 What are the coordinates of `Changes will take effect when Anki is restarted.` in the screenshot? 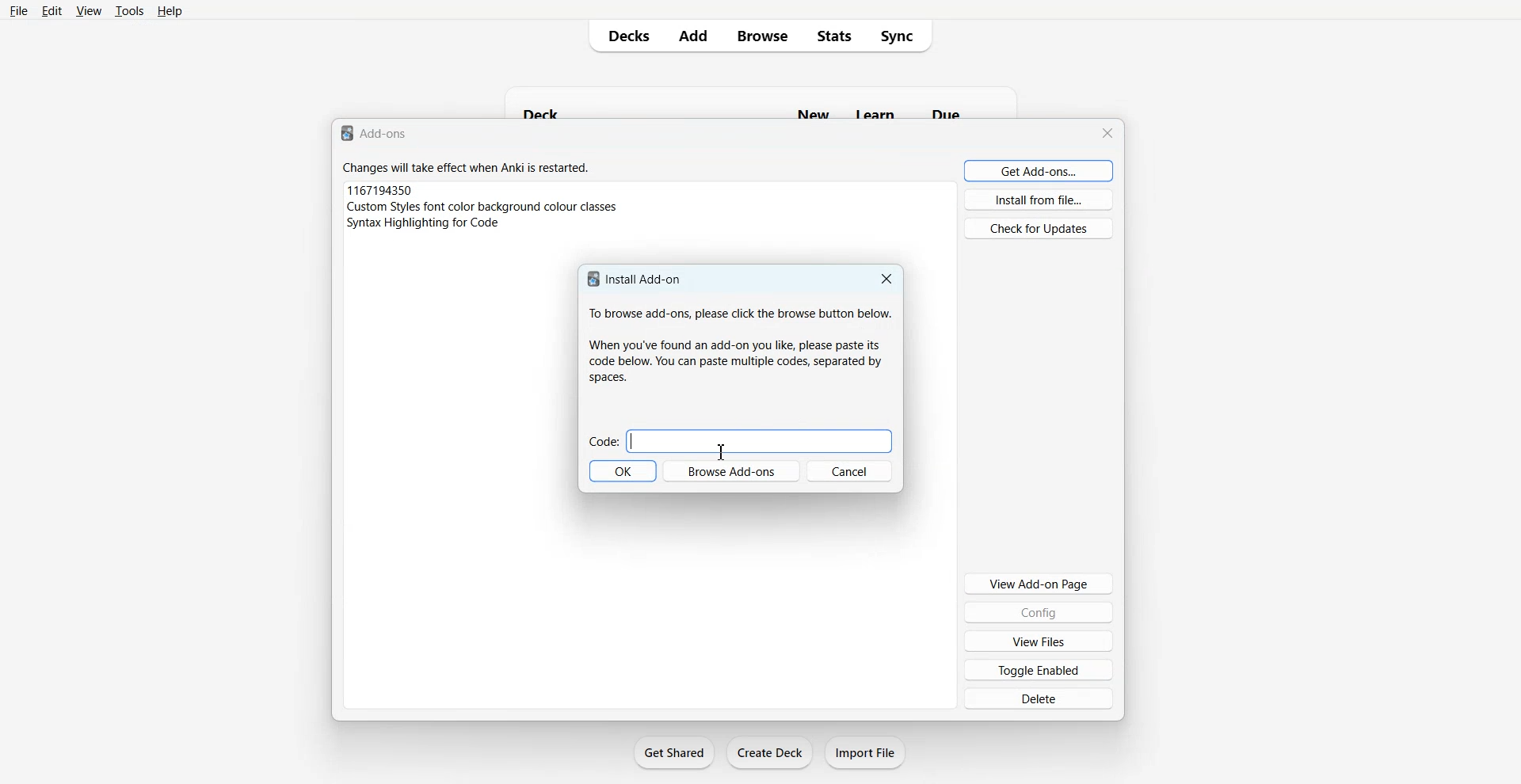 It's located at (471, 169).